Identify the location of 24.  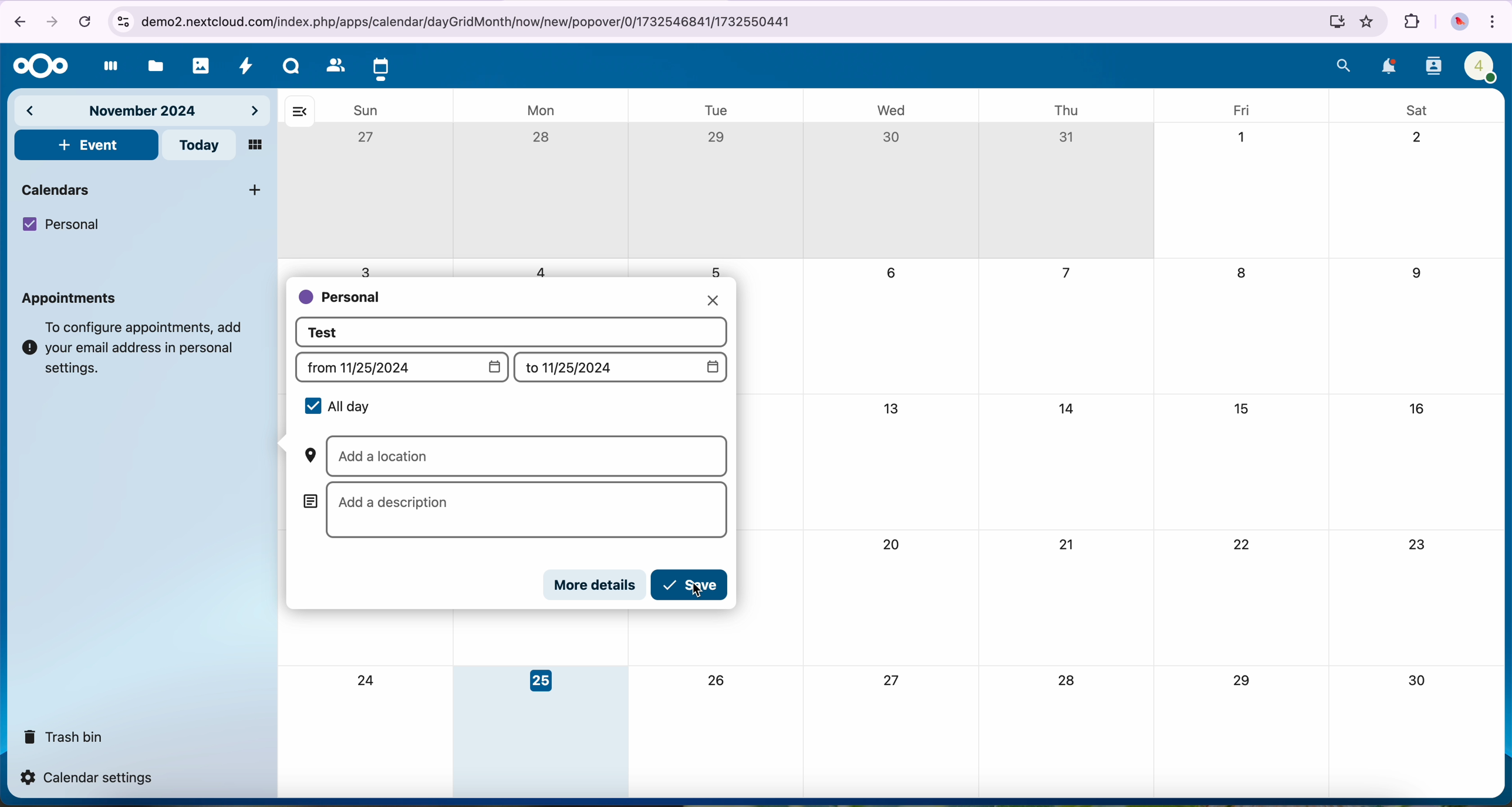
(369, 681).